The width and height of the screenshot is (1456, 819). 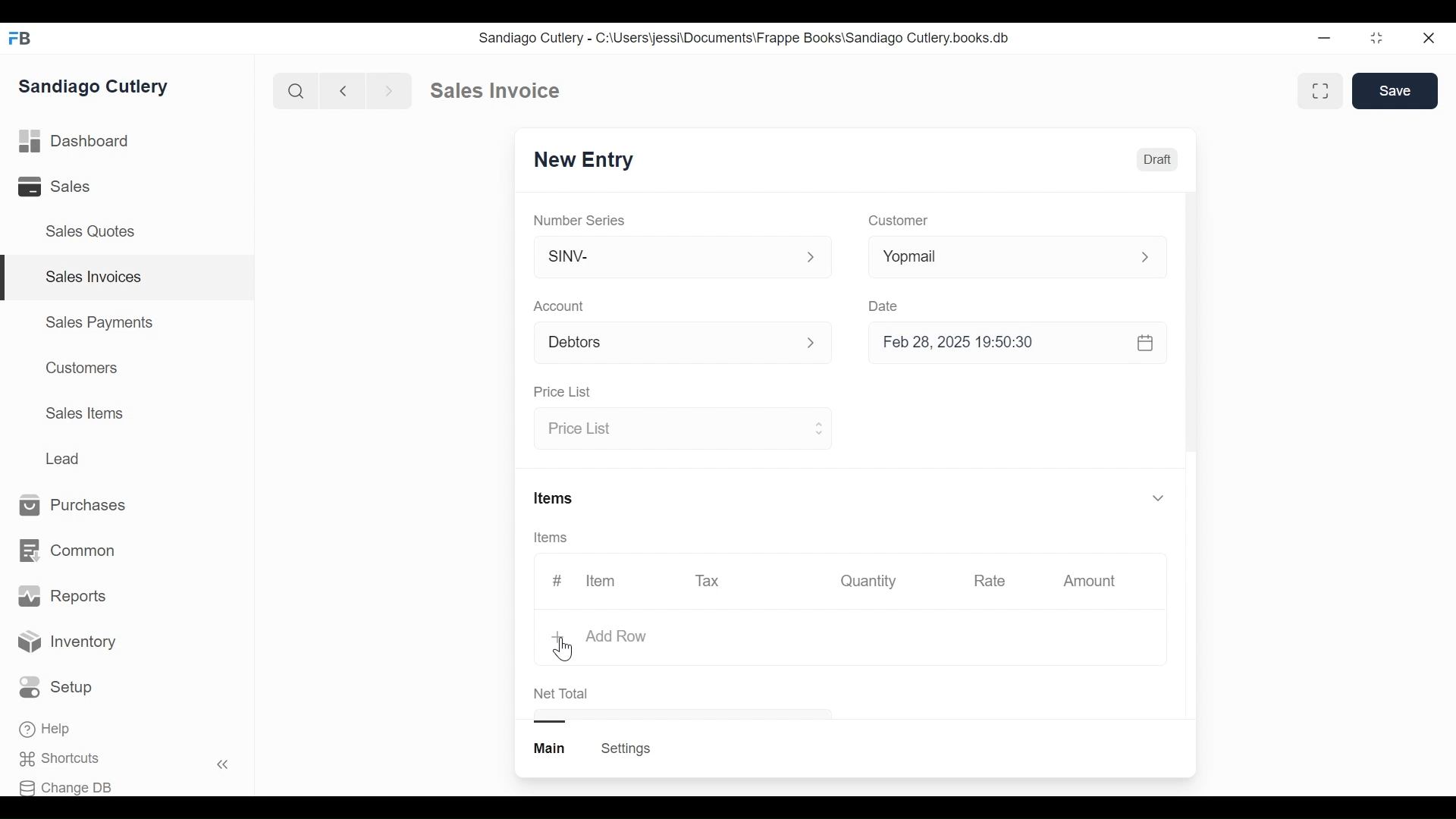 I want to click on Settings, so click(x=628, y=748).